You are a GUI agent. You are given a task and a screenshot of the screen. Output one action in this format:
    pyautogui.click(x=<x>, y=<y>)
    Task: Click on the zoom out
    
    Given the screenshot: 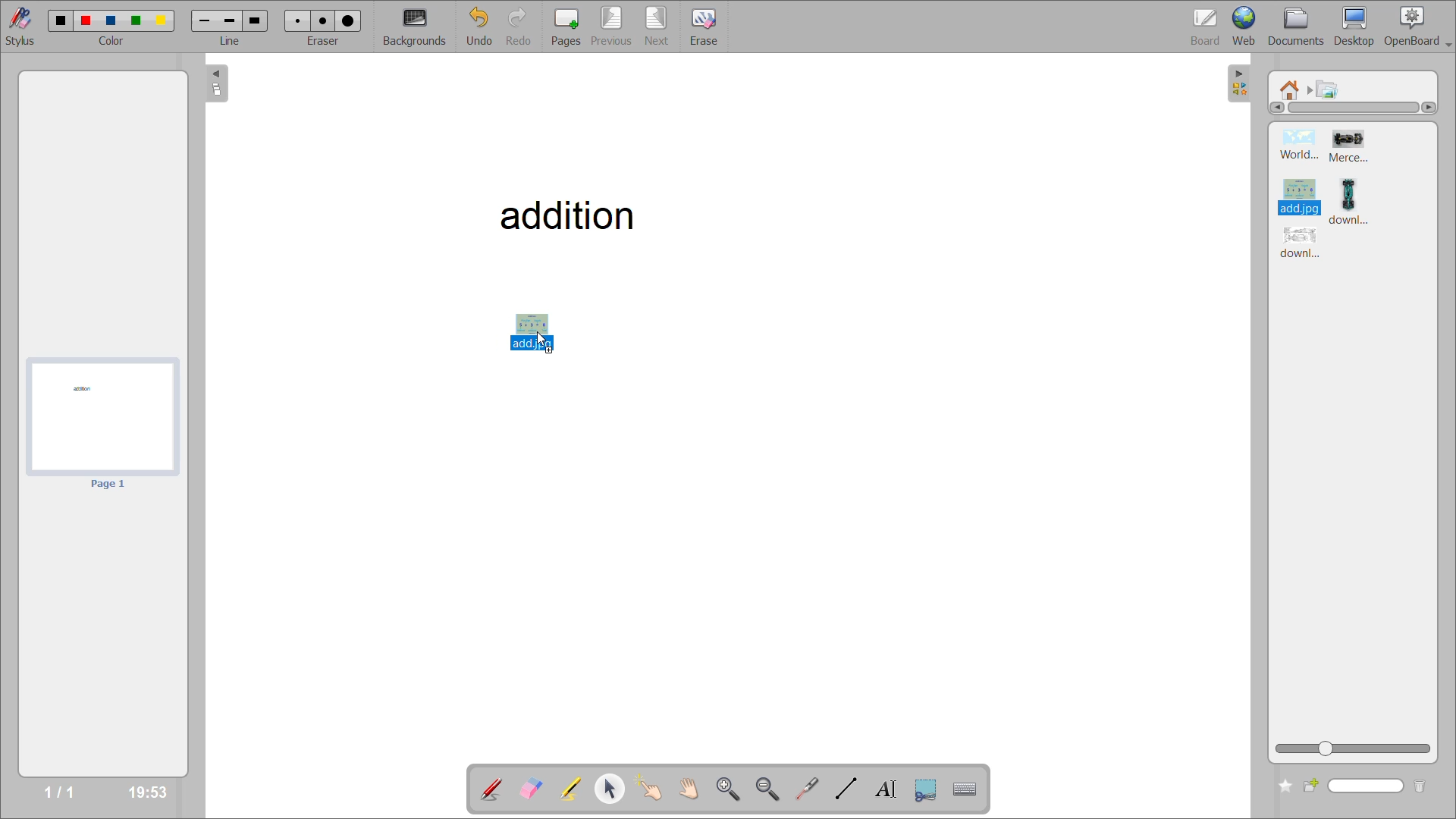 What is the action you would take?
    pyautogui.click(x=767, y=786)
    